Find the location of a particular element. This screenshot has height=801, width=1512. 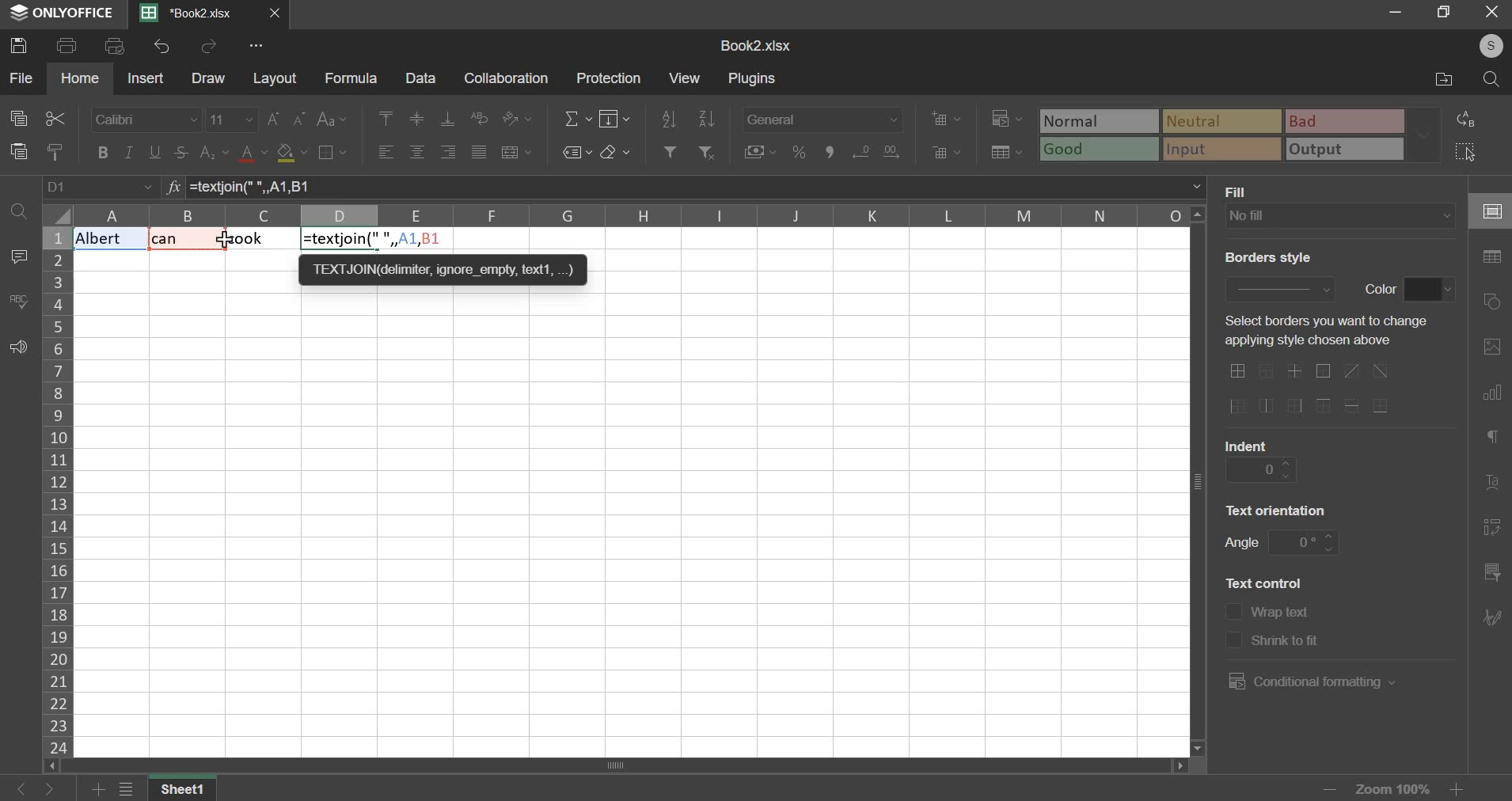

border color is located at coordinates (1430, 290).